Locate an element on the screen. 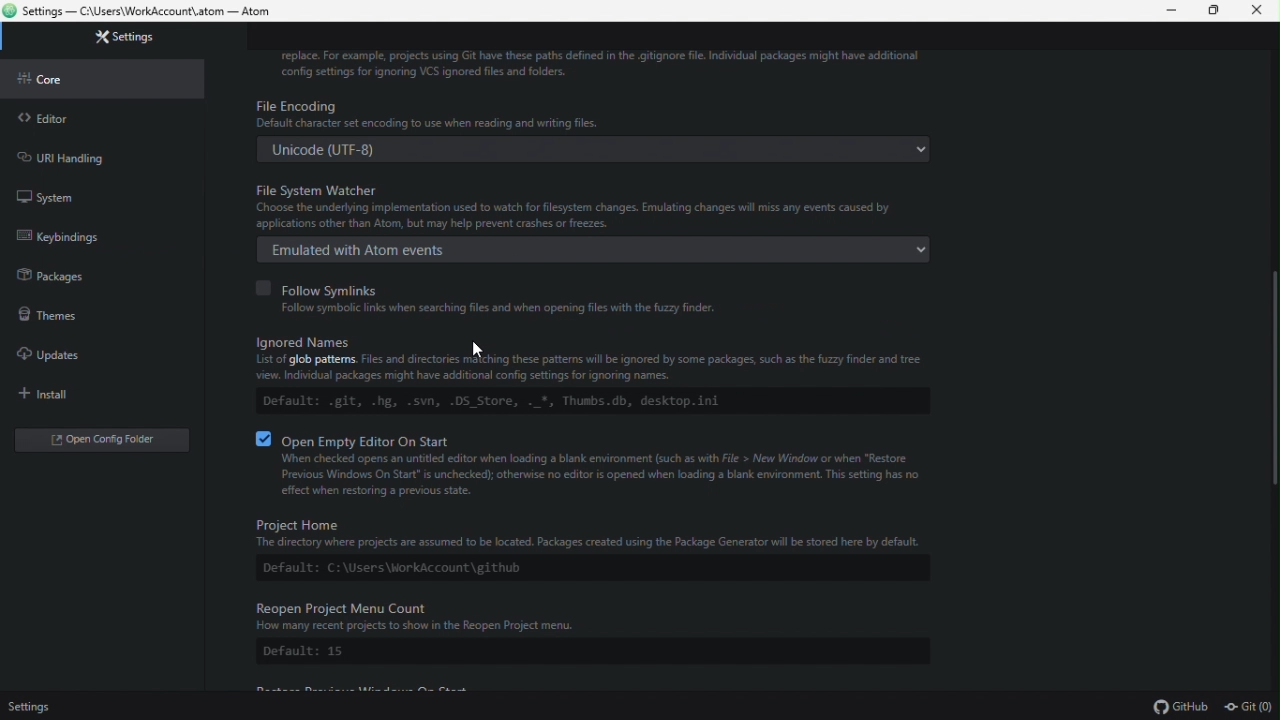 The width and height of the screenshot is (1280, 720). Default: 15 is located at coordinates (300, 652).